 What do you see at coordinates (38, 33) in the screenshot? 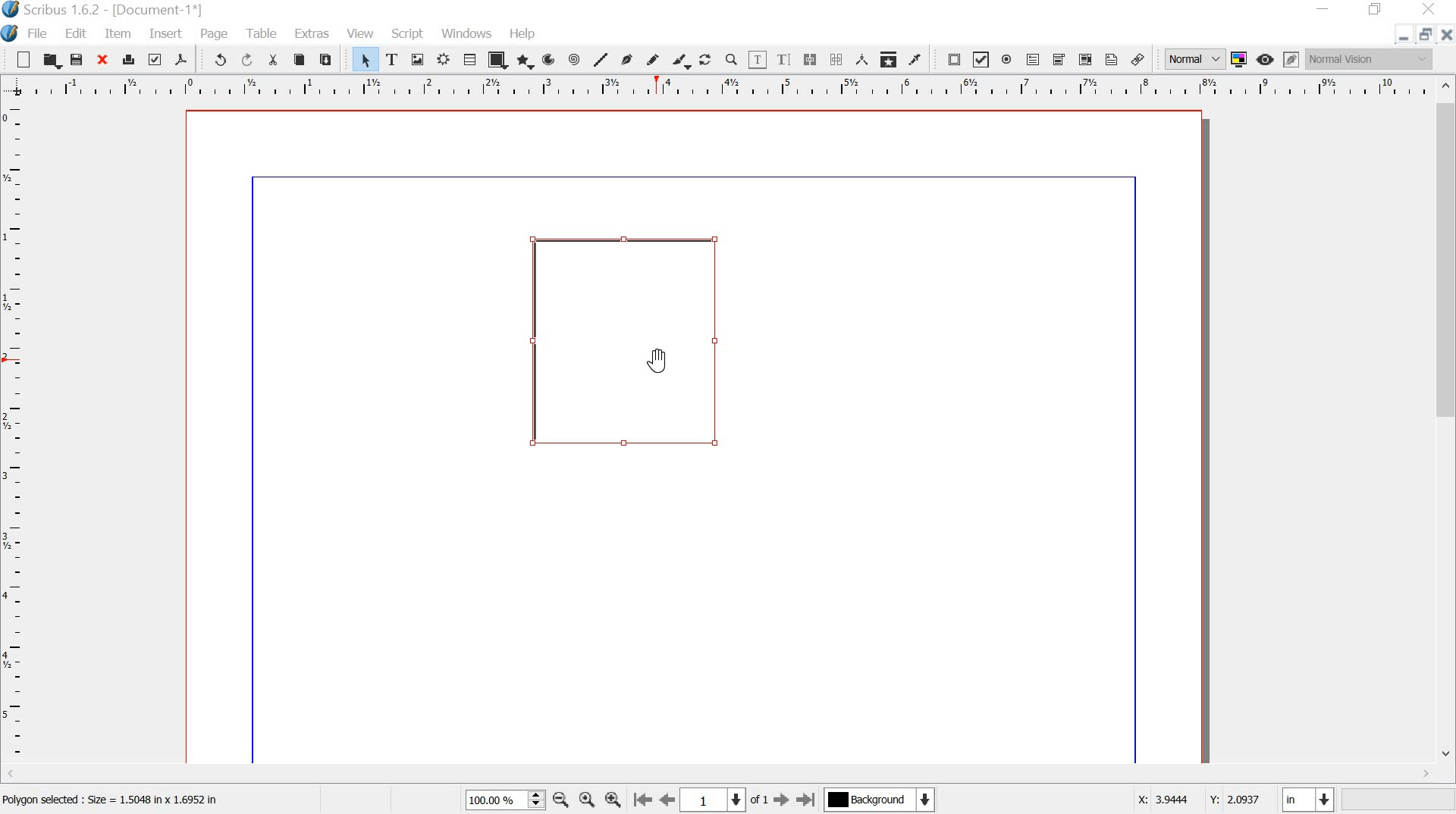
I see `file` at bounding box center [38, 33].